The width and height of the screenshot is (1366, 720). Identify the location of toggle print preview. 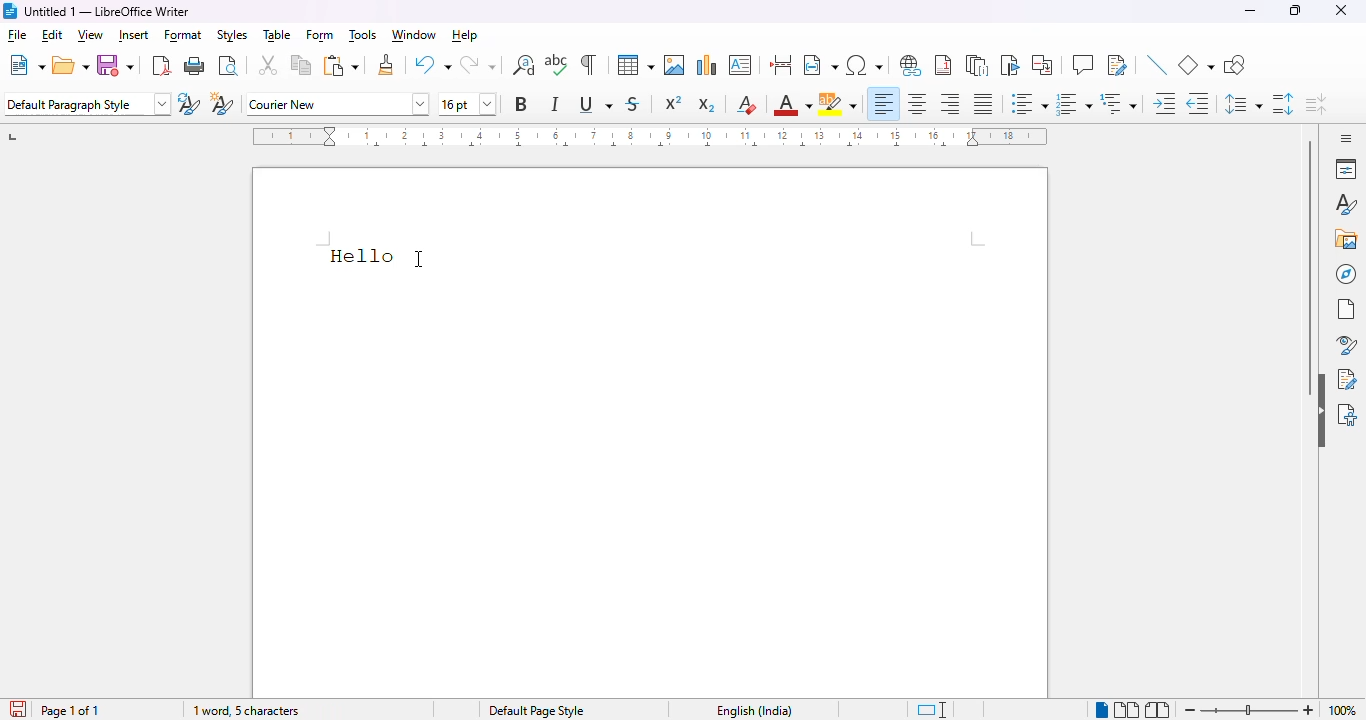
(229, 65).